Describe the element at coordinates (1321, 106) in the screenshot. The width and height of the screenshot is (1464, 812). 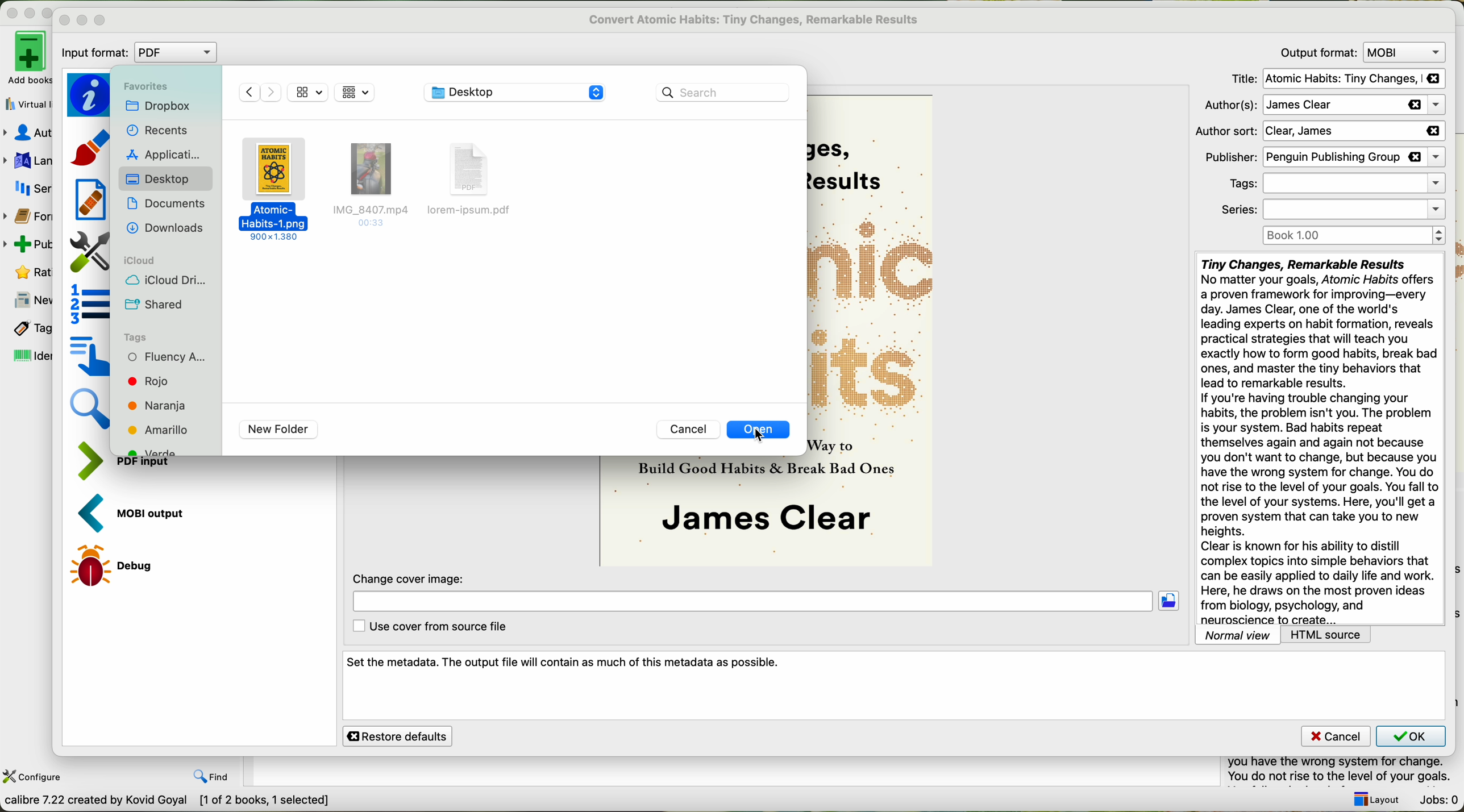
I see `authors` at that location.